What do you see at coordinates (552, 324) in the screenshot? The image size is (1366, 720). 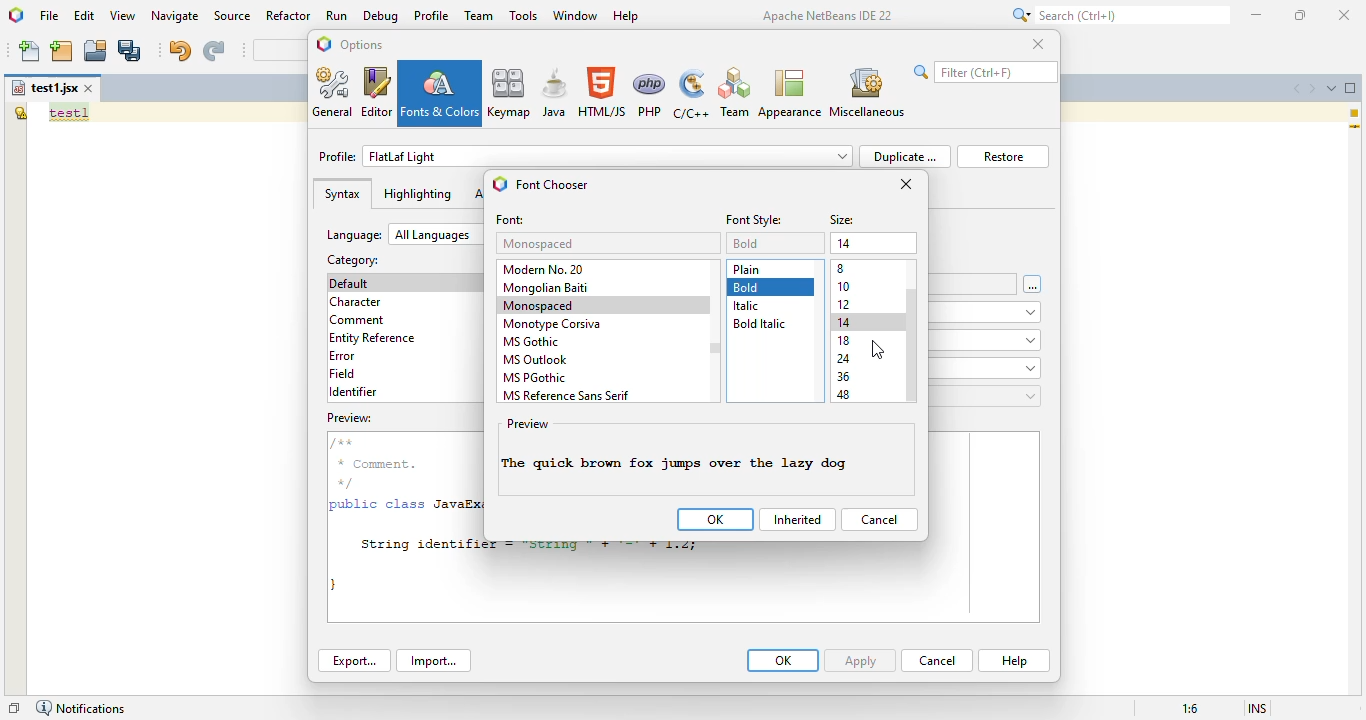 I see `monotype corsiva` at bounding box center [552, 324].